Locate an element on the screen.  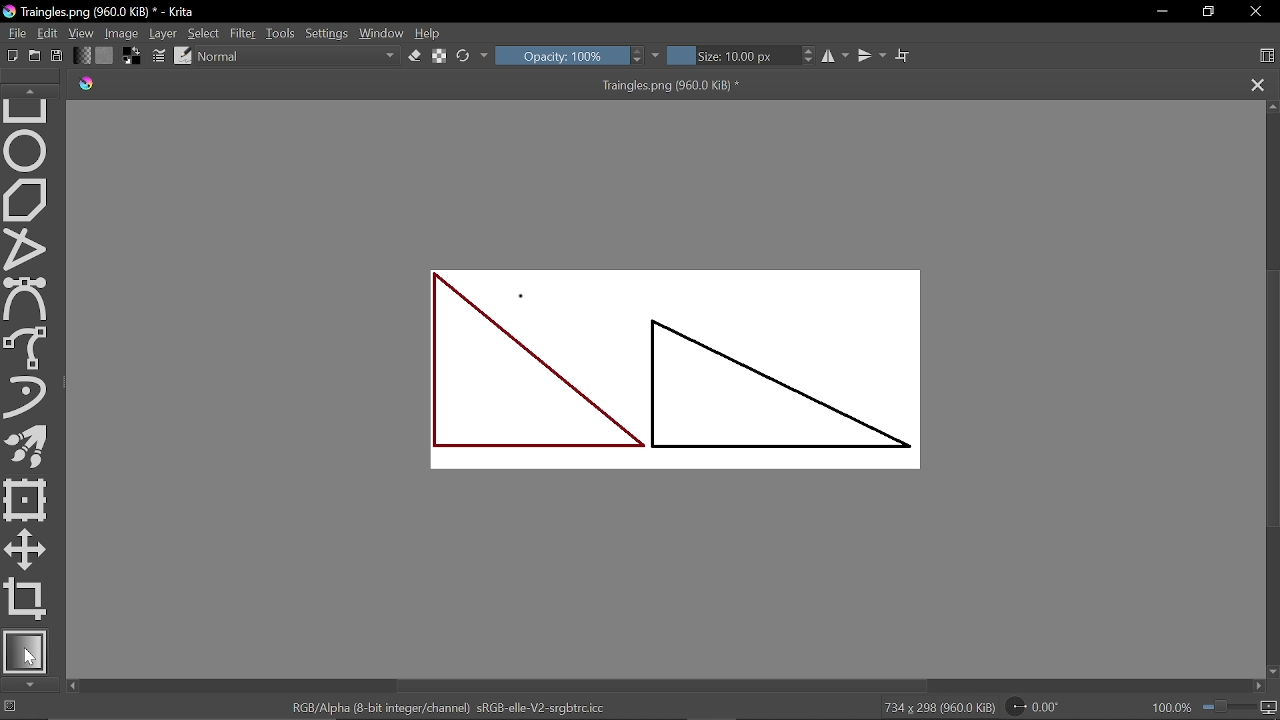
Create new document is located at coordinates (10, 55).